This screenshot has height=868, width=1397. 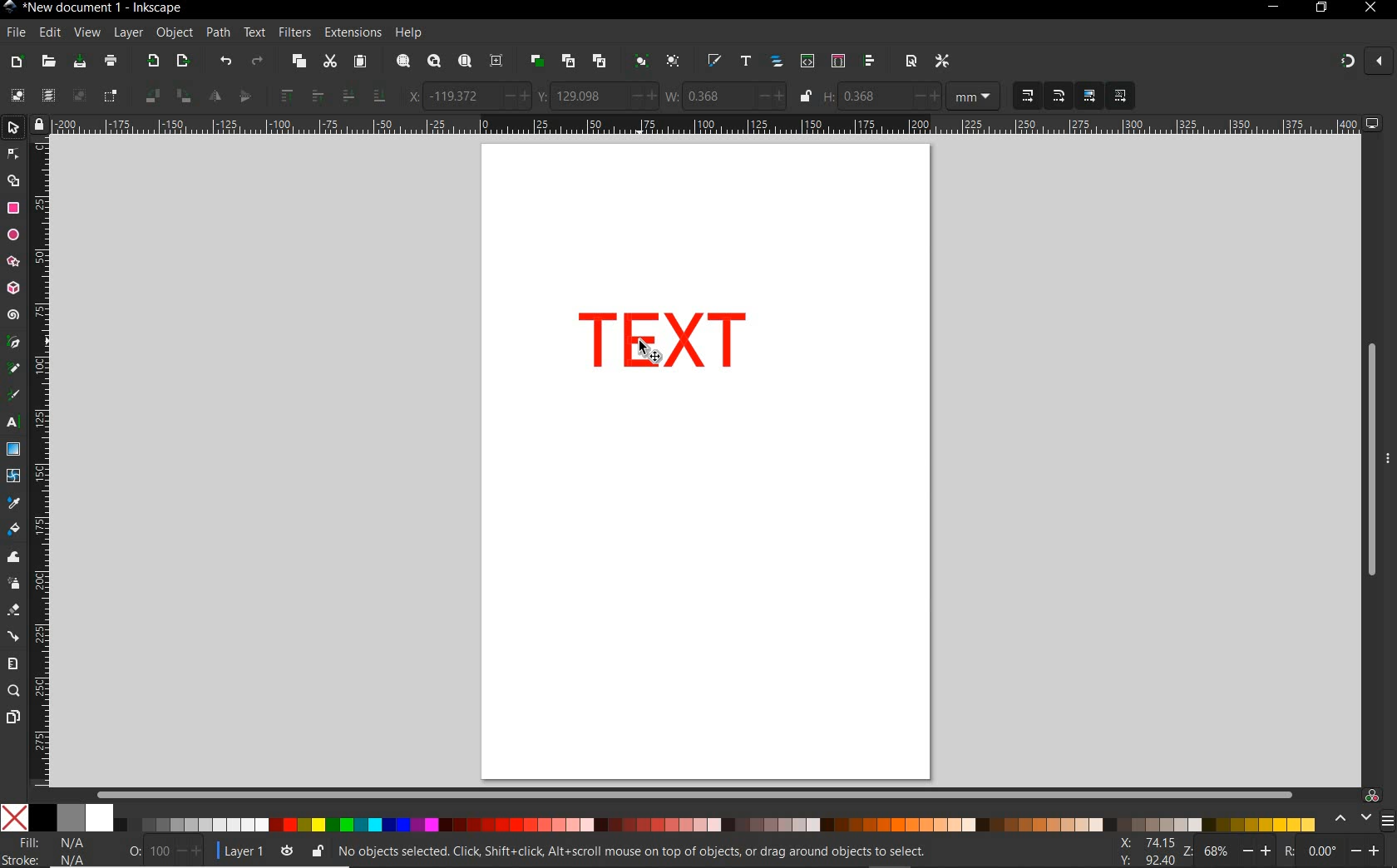 What do you see at coordinates (47, 851) in the screenshot?
I see `FILE & STROKE` at bounding box center [47, 851].